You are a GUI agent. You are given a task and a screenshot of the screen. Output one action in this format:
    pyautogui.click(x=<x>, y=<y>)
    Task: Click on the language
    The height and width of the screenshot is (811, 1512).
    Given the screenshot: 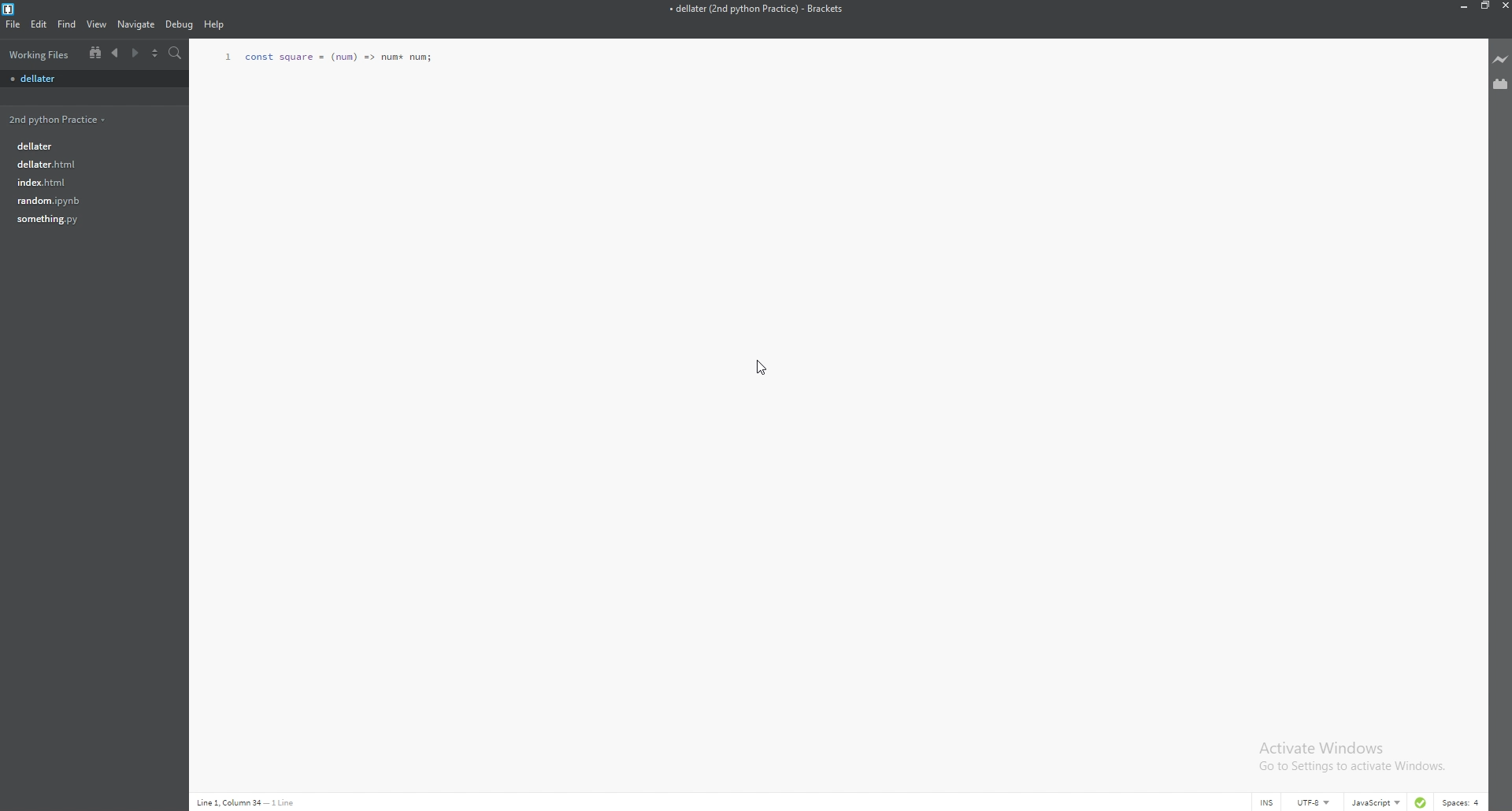 What is the action you would take?
    pyautogui.click(x=1378, y=802)
    